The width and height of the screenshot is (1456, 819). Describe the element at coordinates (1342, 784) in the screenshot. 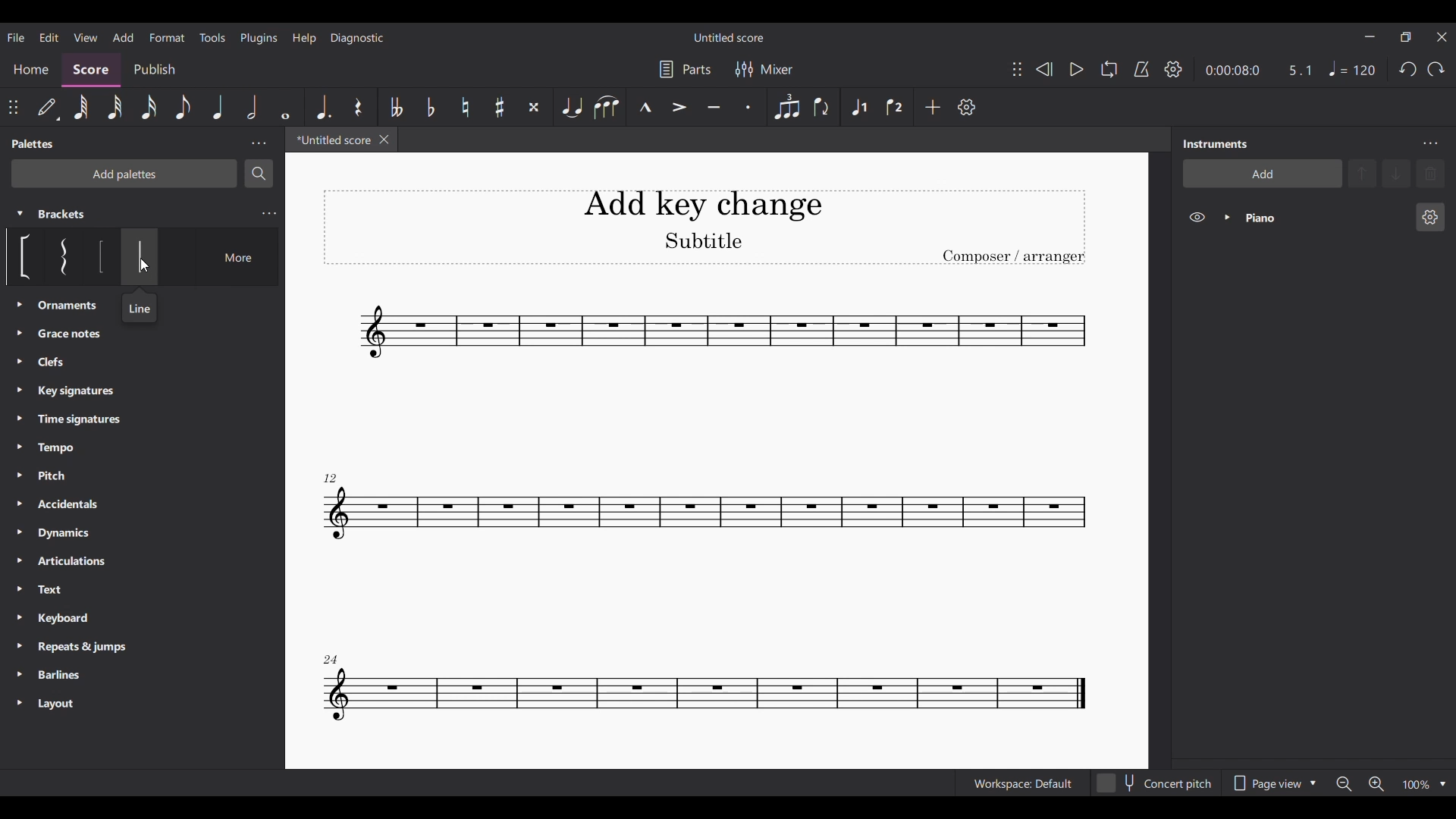

I see `Zoom out` at that location.